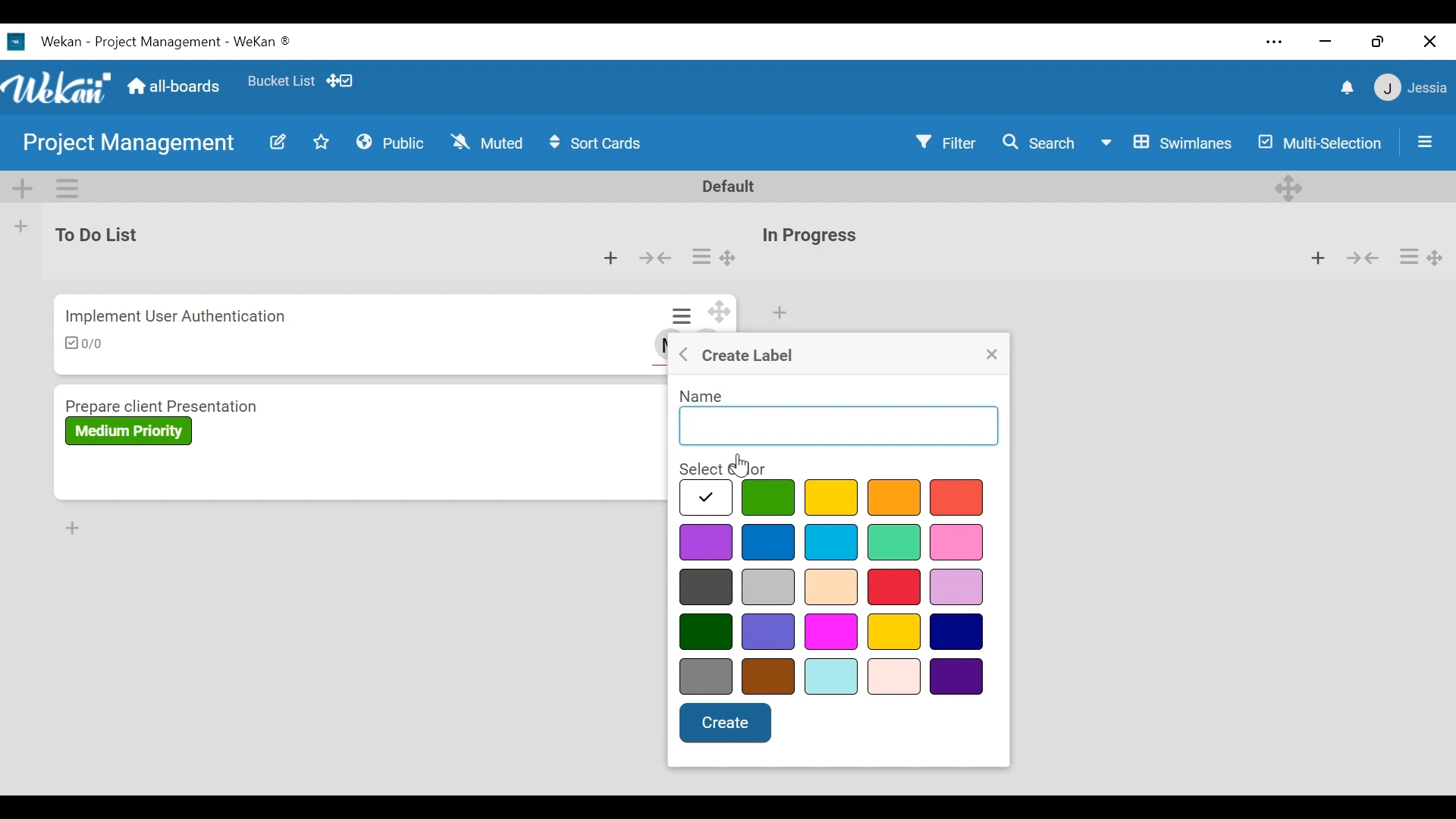 The width and height of the screenshot is (1456, 819). I want to click on List Name, so click(94, 234).